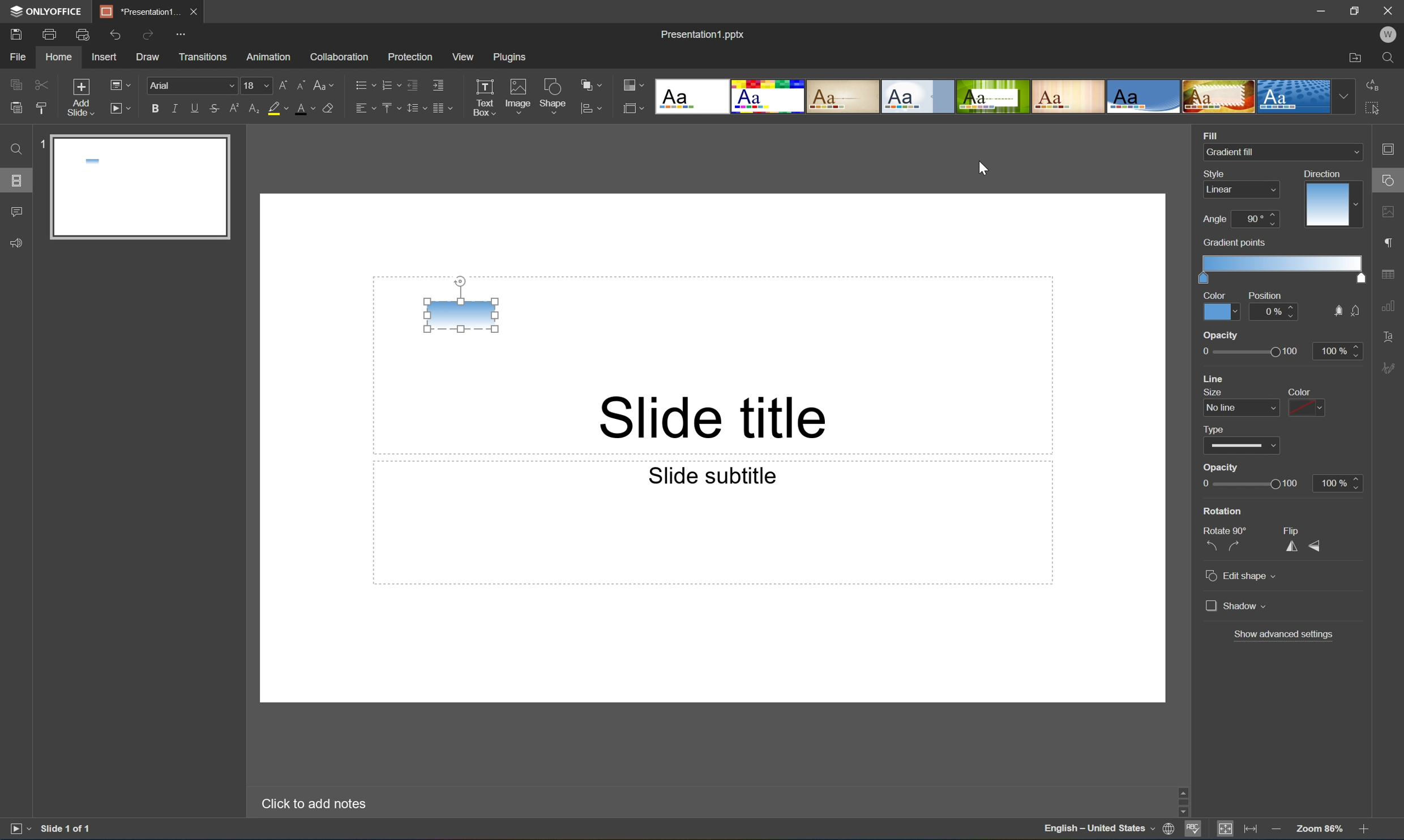 This screenshot has height=840, width=1404. Describe the element at coordinates (1390, 275) in the screenshot. I see `table settings` at that location.